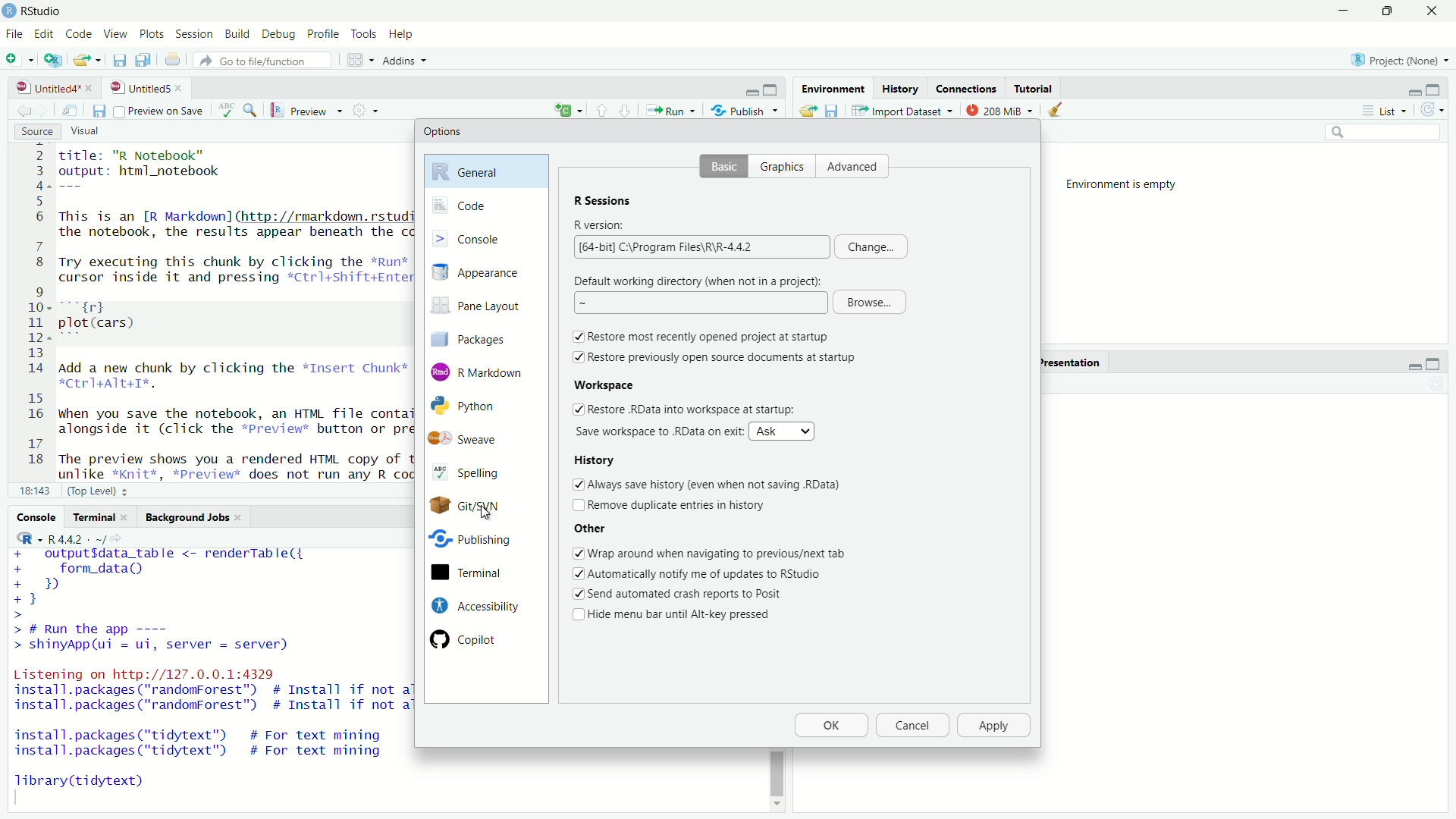  Describe the element at coordinates (783, 431) in the screenshot. I see `Ask` at that location.